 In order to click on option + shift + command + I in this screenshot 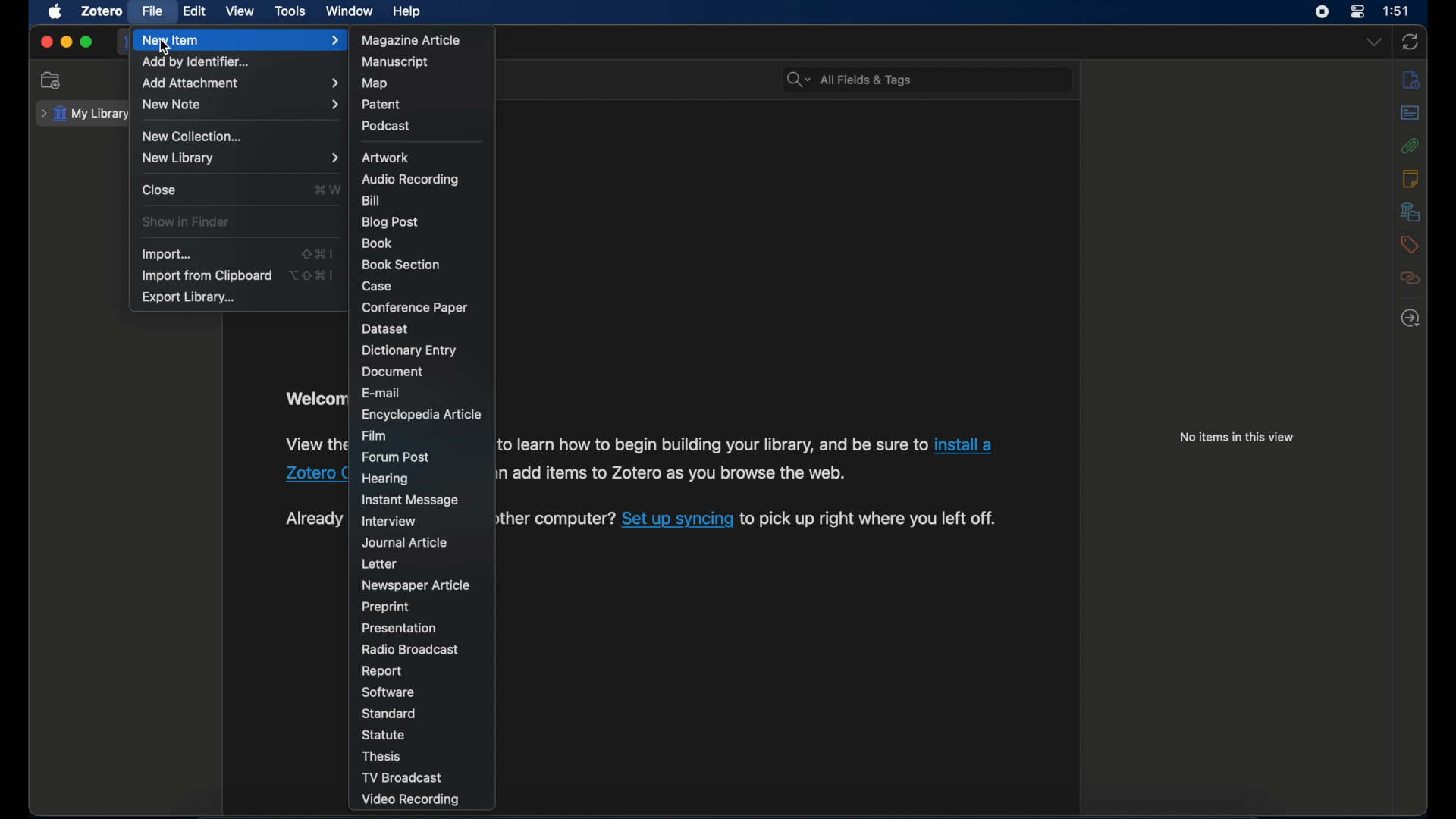, I will do `click(311, 275)`.